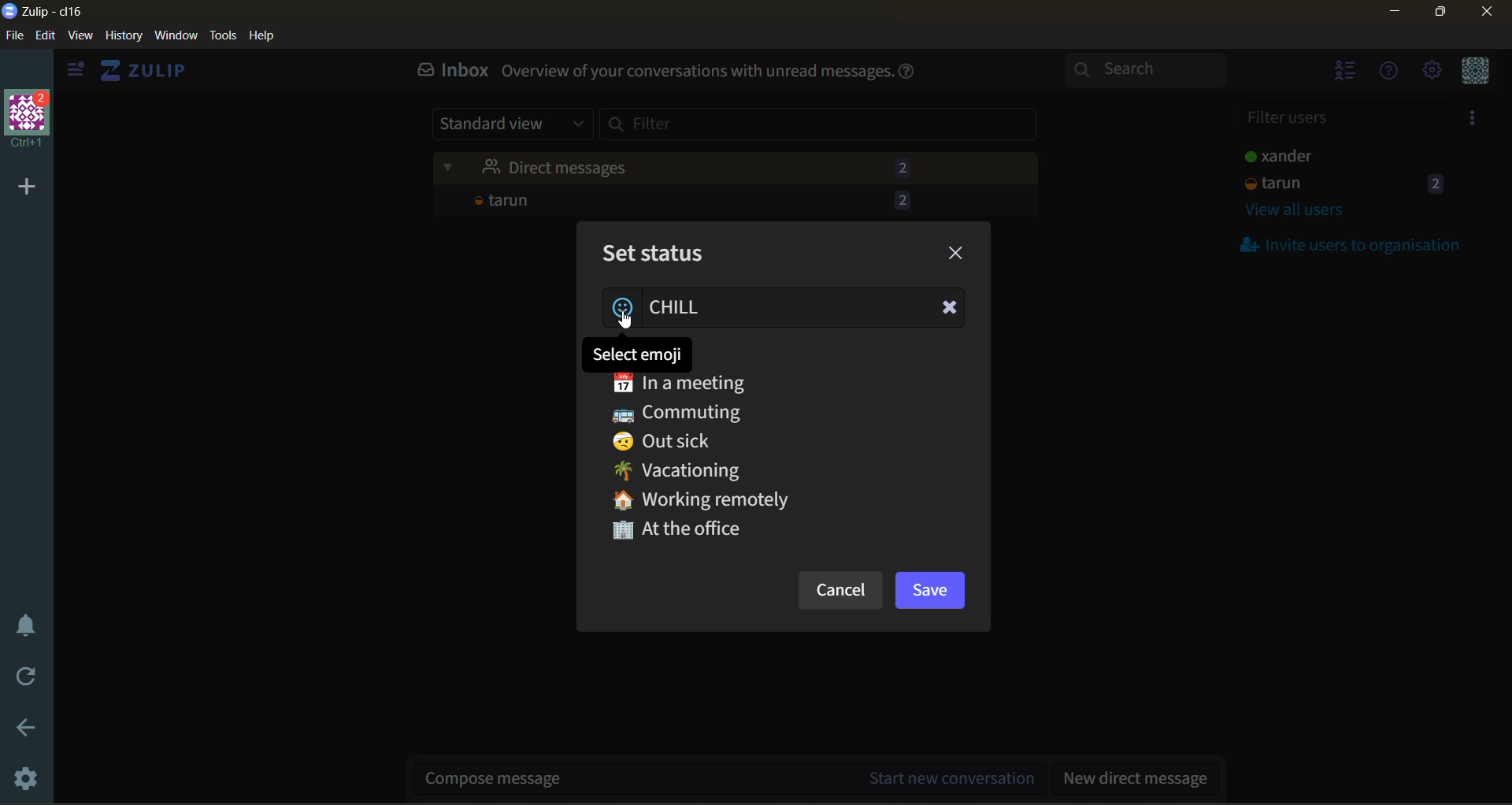  What do you see at coordinates (737, 163) in the screenshot?
I see `unread messages` at bounding box center [737, 163].